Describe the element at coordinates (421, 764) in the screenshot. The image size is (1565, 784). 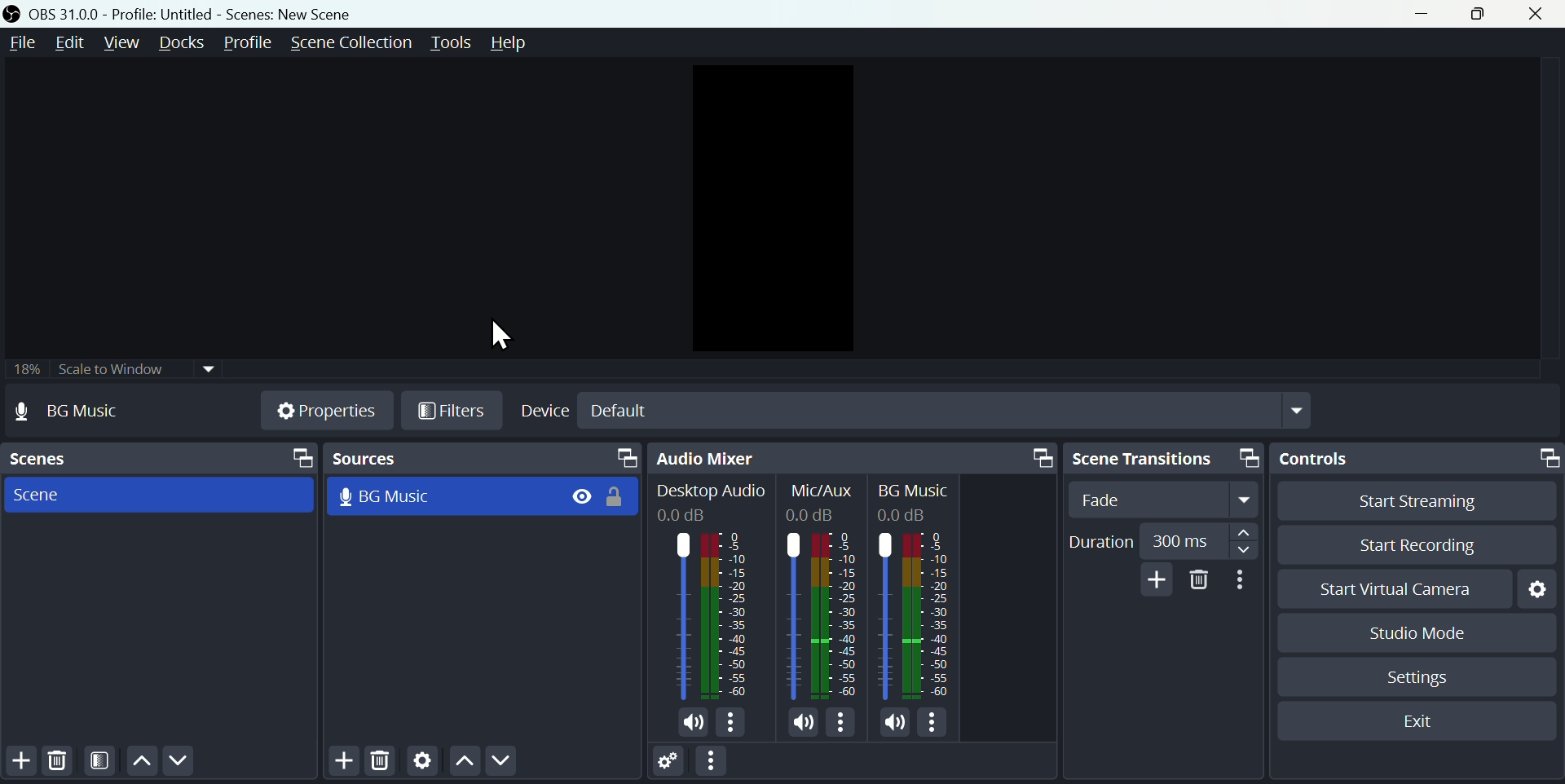
I see `Settings` at that location.